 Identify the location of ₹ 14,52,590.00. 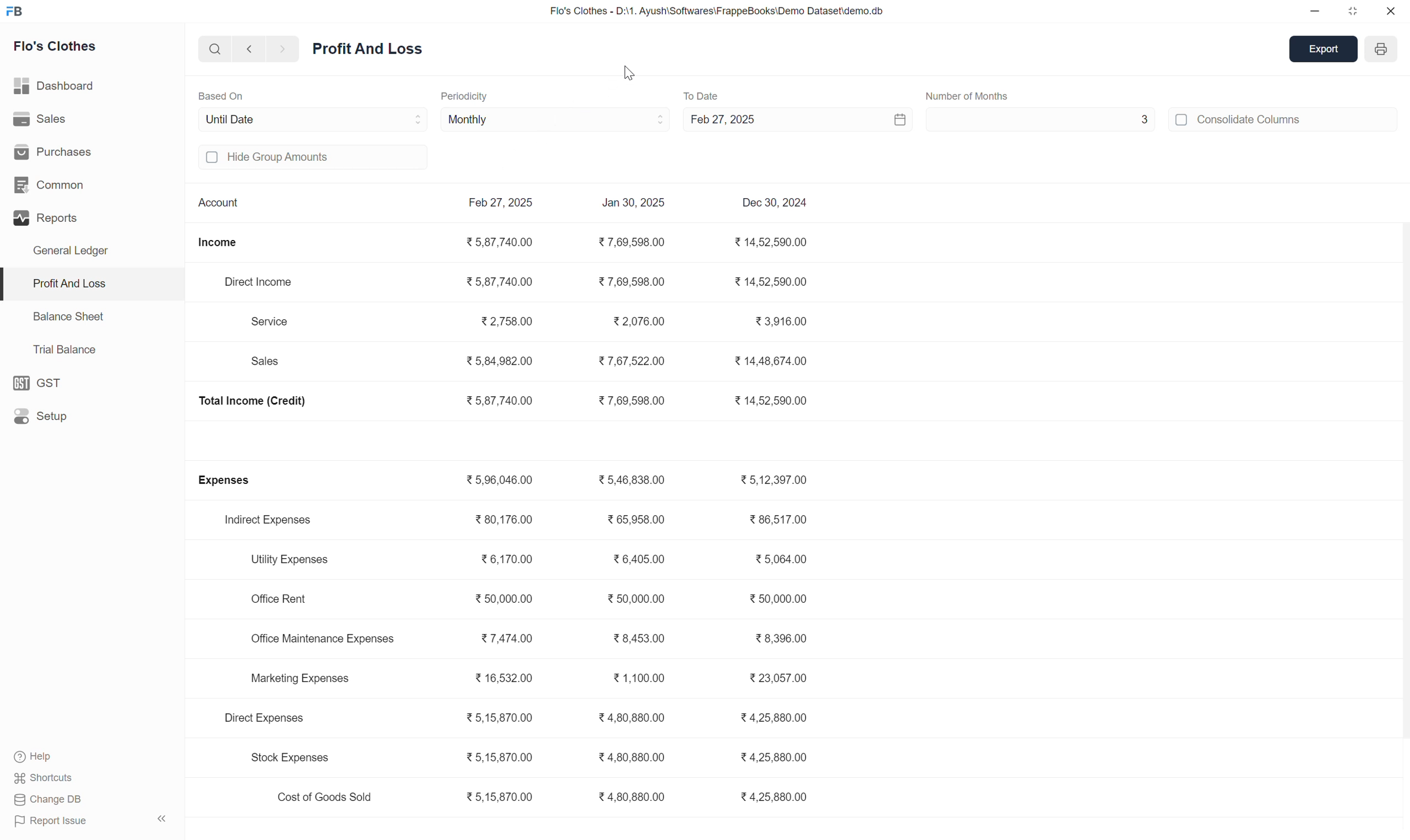
(767, 241).